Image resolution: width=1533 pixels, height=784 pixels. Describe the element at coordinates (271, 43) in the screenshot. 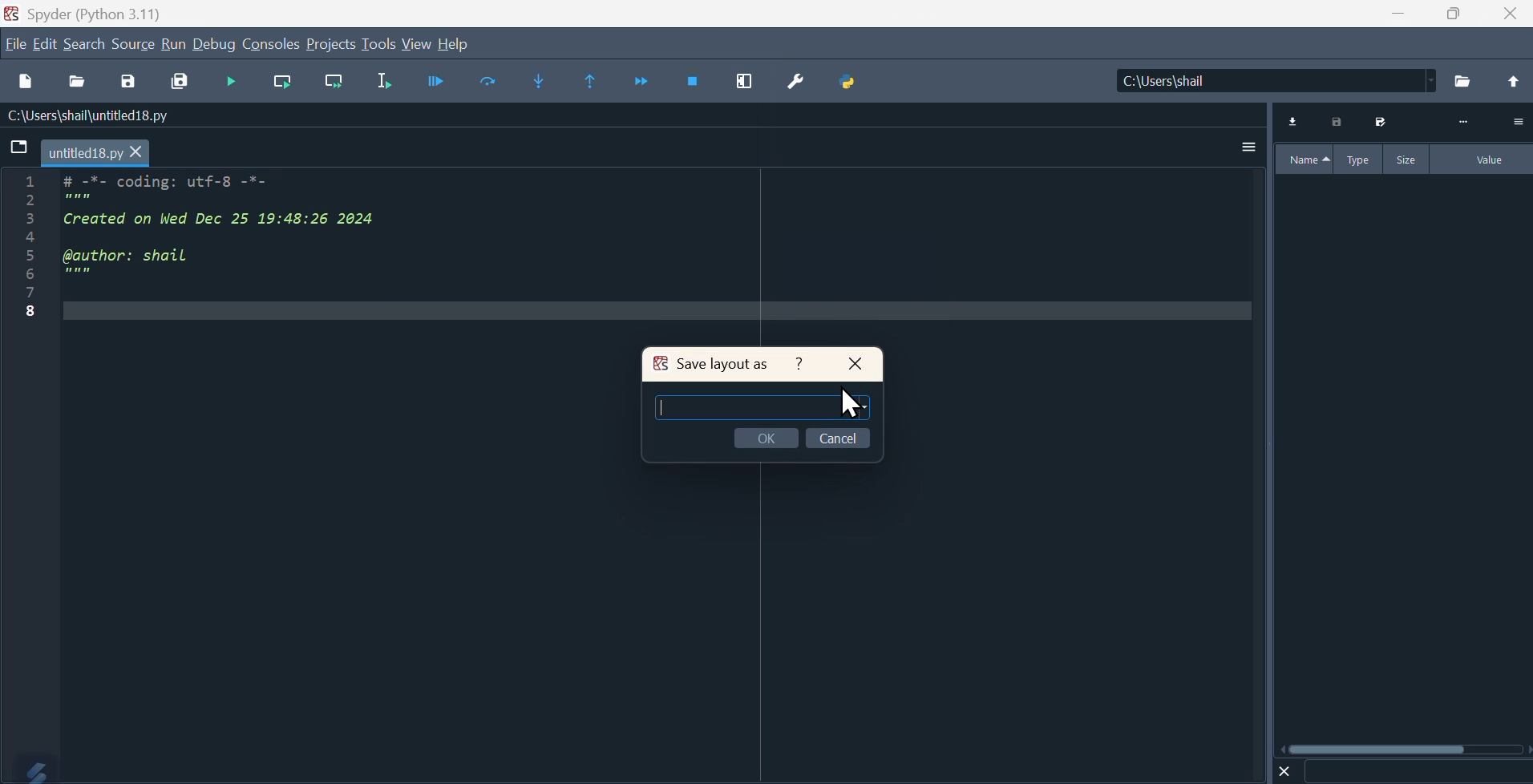

I see `Console` at that location.